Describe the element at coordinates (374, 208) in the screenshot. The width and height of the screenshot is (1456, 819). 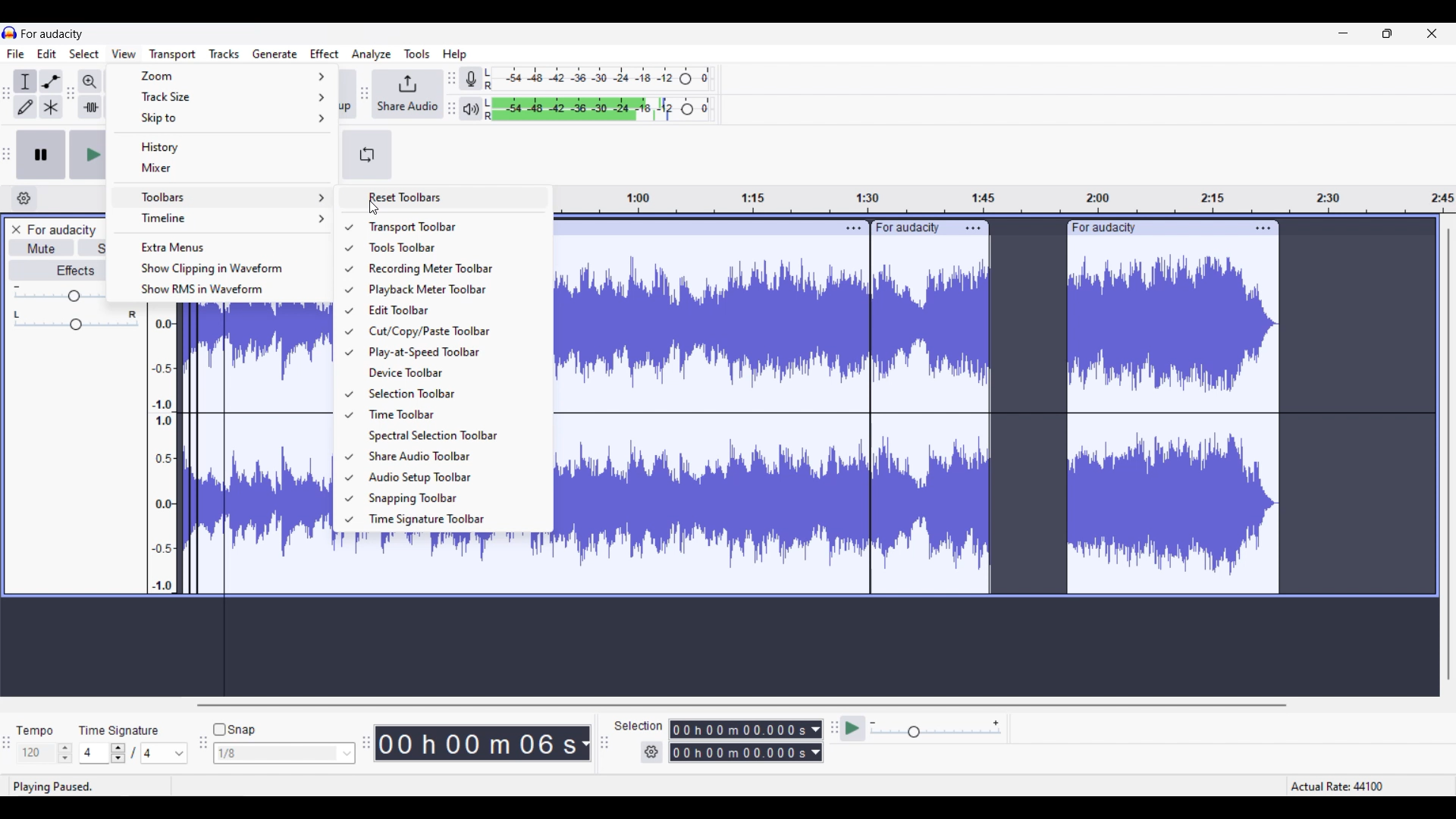
I see `Cursor` at that location.